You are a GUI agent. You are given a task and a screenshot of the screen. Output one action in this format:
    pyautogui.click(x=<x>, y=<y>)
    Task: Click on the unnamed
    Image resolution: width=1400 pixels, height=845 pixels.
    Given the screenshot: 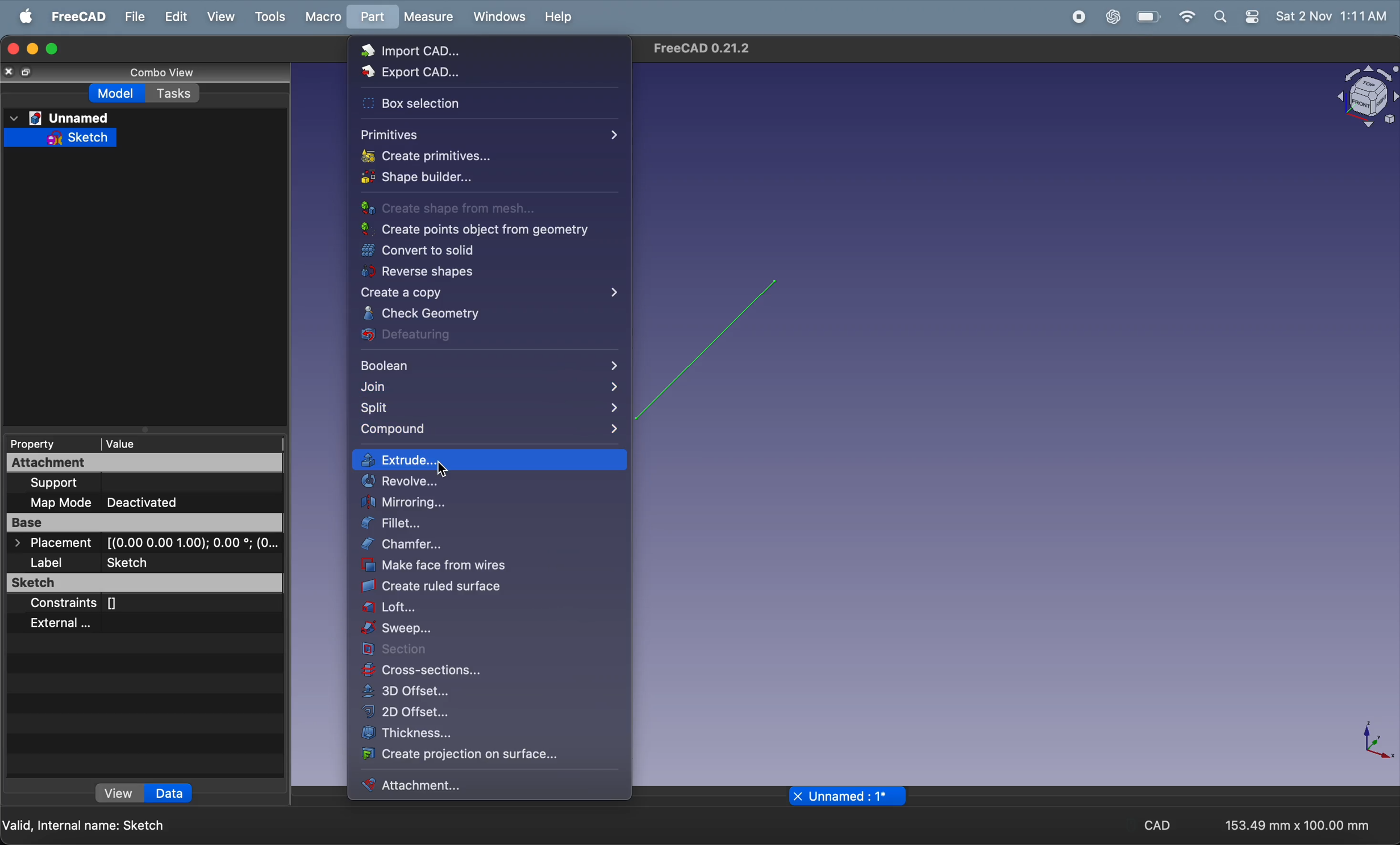 What is the action you would take?
    pyautogui.click(x=61, y=118)
    